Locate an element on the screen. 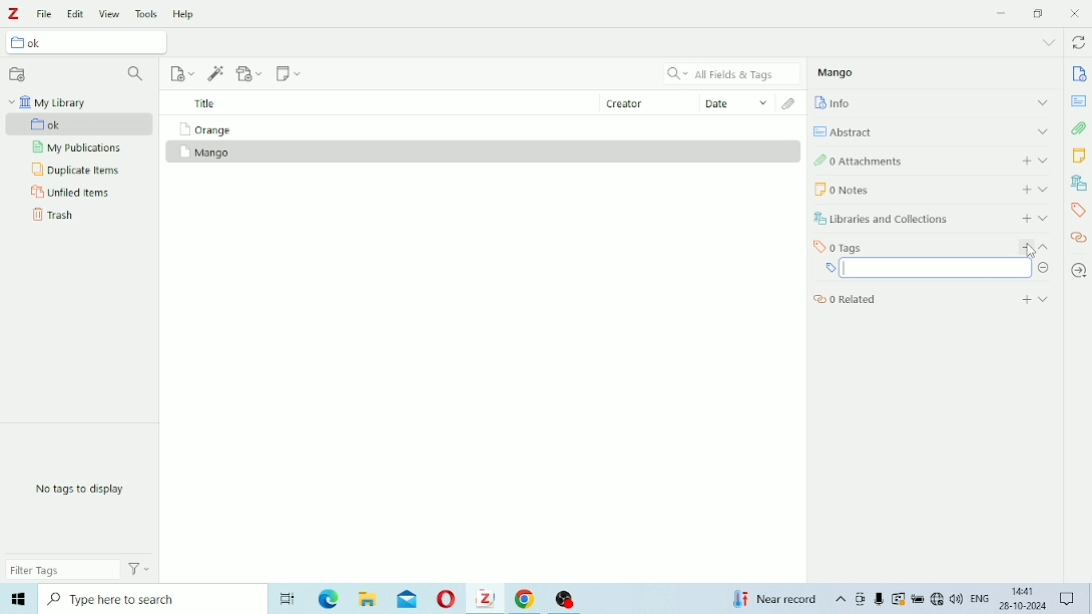  Abstract is located at coordinates (933, 129).